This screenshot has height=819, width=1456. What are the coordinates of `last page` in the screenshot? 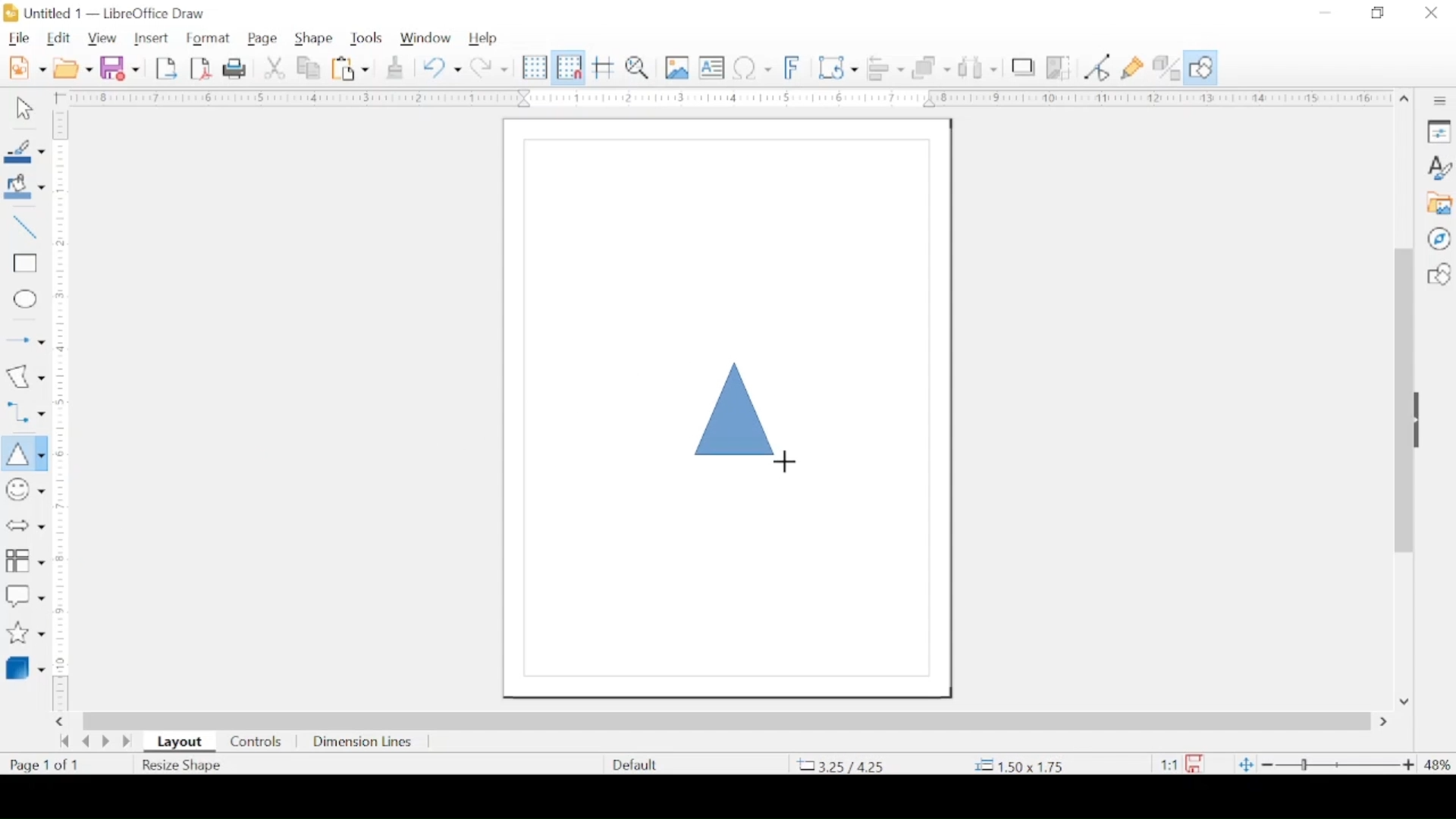 It's located at (127, 742).